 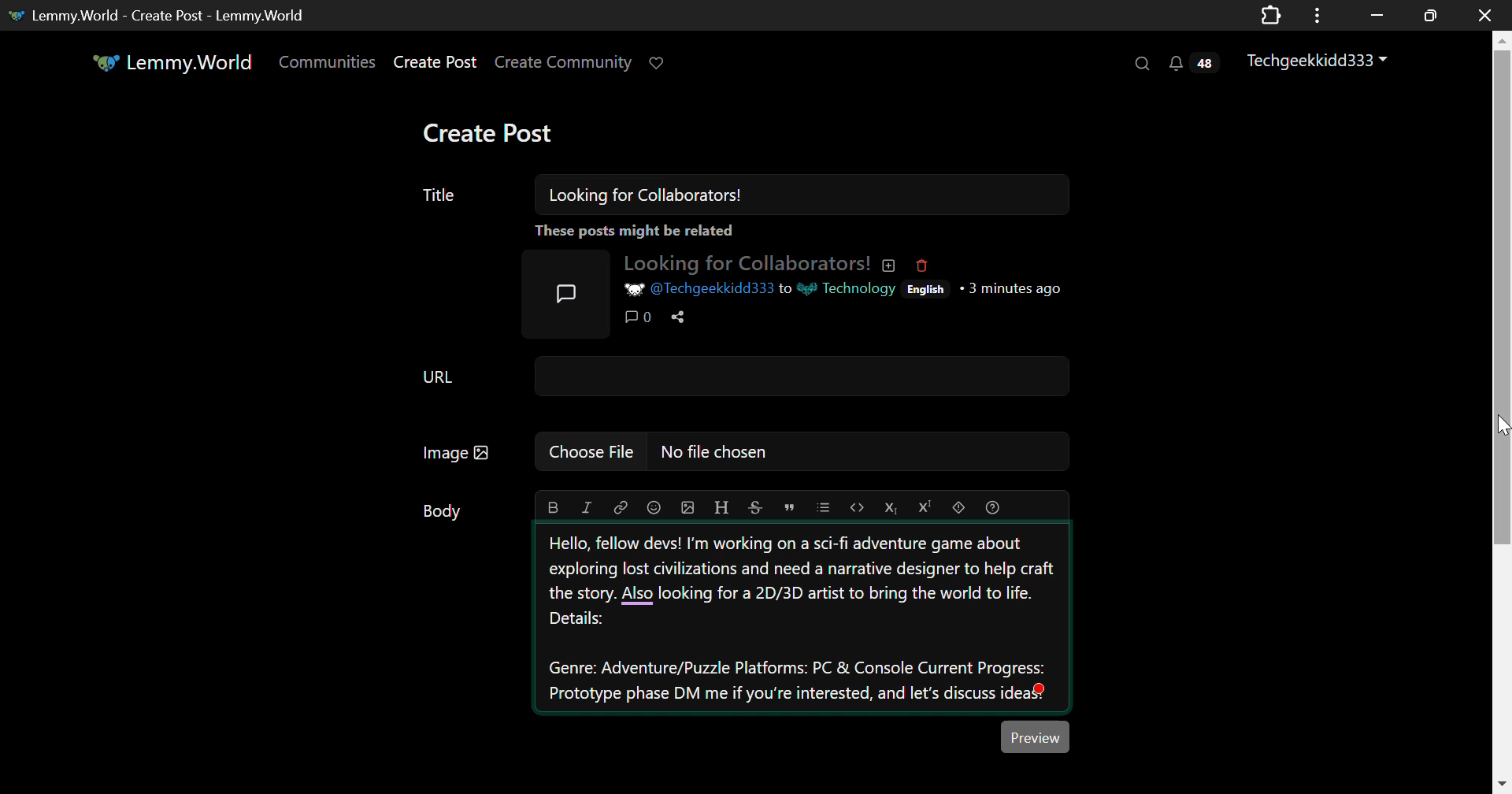 What do you see at coordinates (329, 63) in the screenshot?
I see `Communities` at bounding box center [329, 63].